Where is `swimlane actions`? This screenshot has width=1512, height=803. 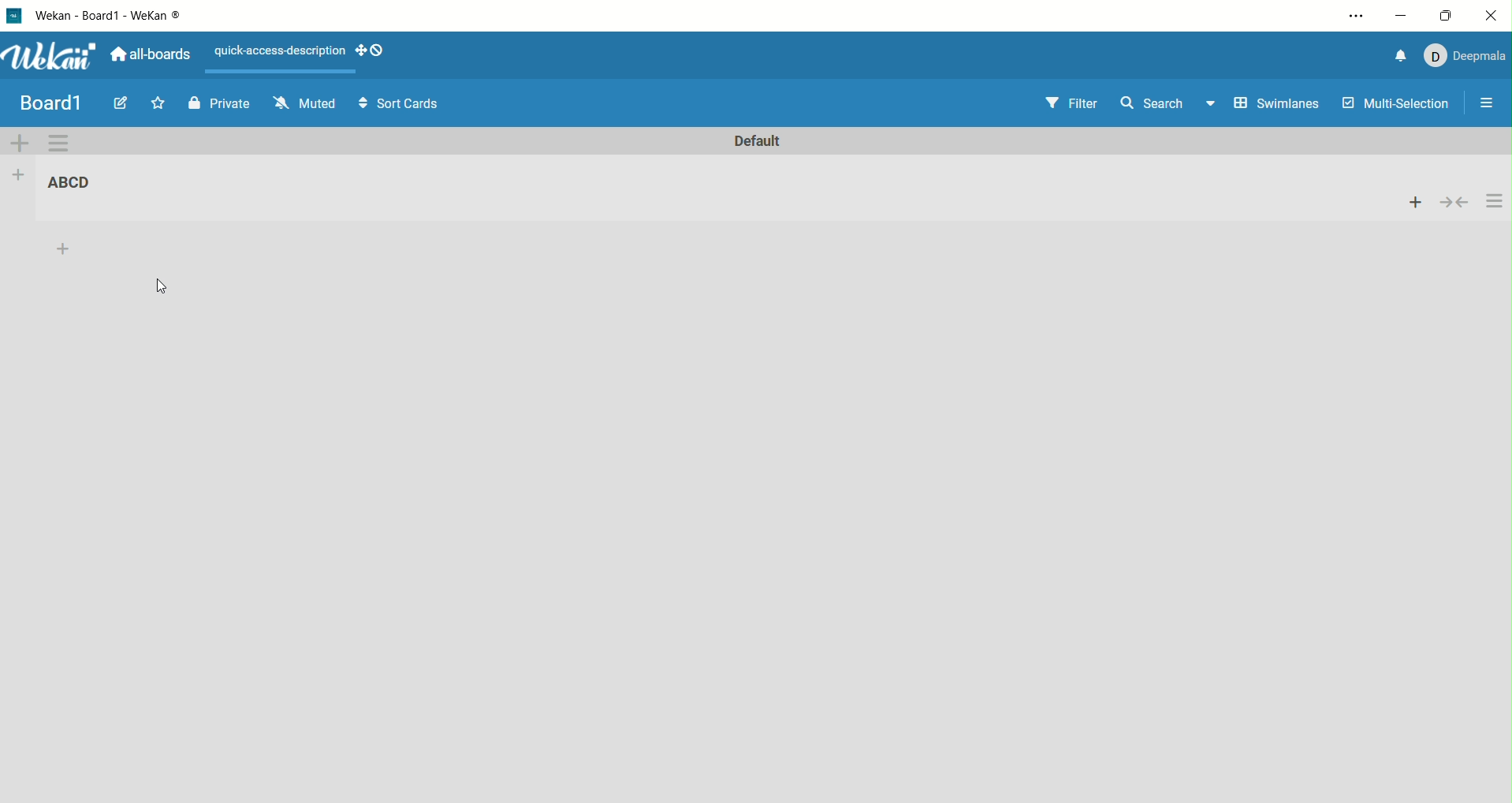 swimlane actions is located at coordinates (59, 144).